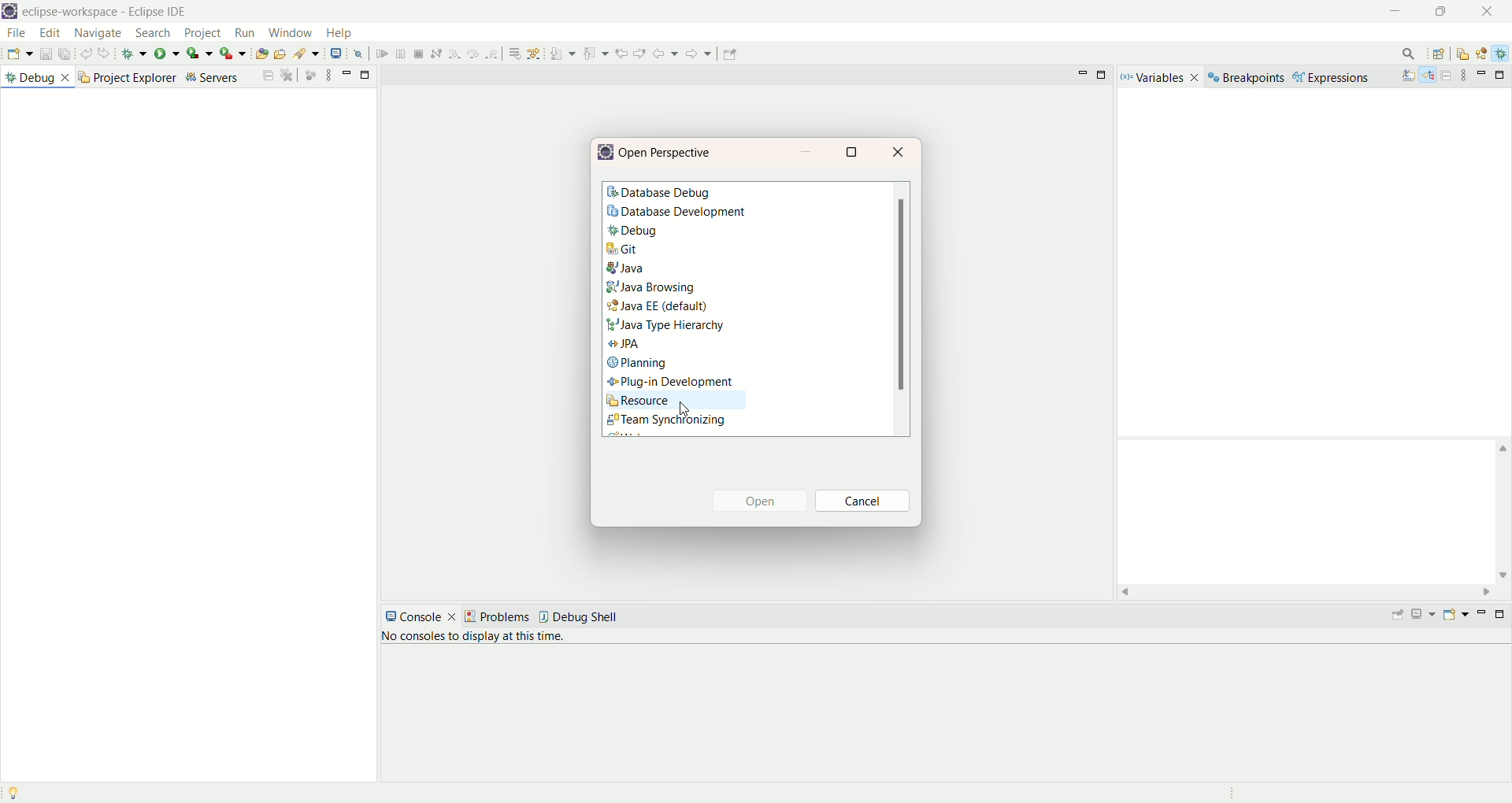 The width and height of the screenshot is (1512, 803). What do you see at coordinates (17, 54) in the screenshot?
I see `new` at bounding box center [17, 54].